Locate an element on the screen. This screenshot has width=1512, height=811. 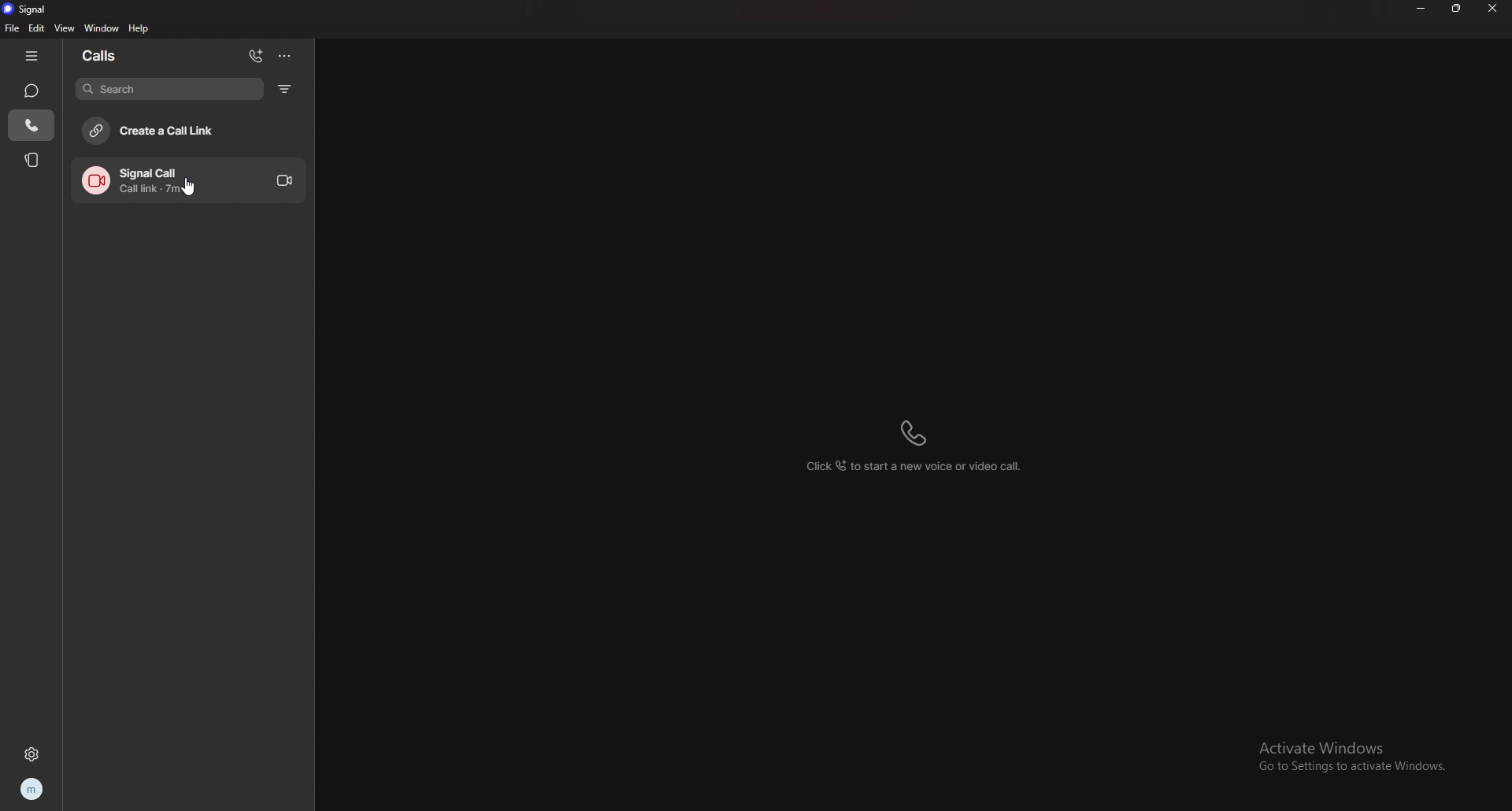
calls is located at coordinates (108, 56).